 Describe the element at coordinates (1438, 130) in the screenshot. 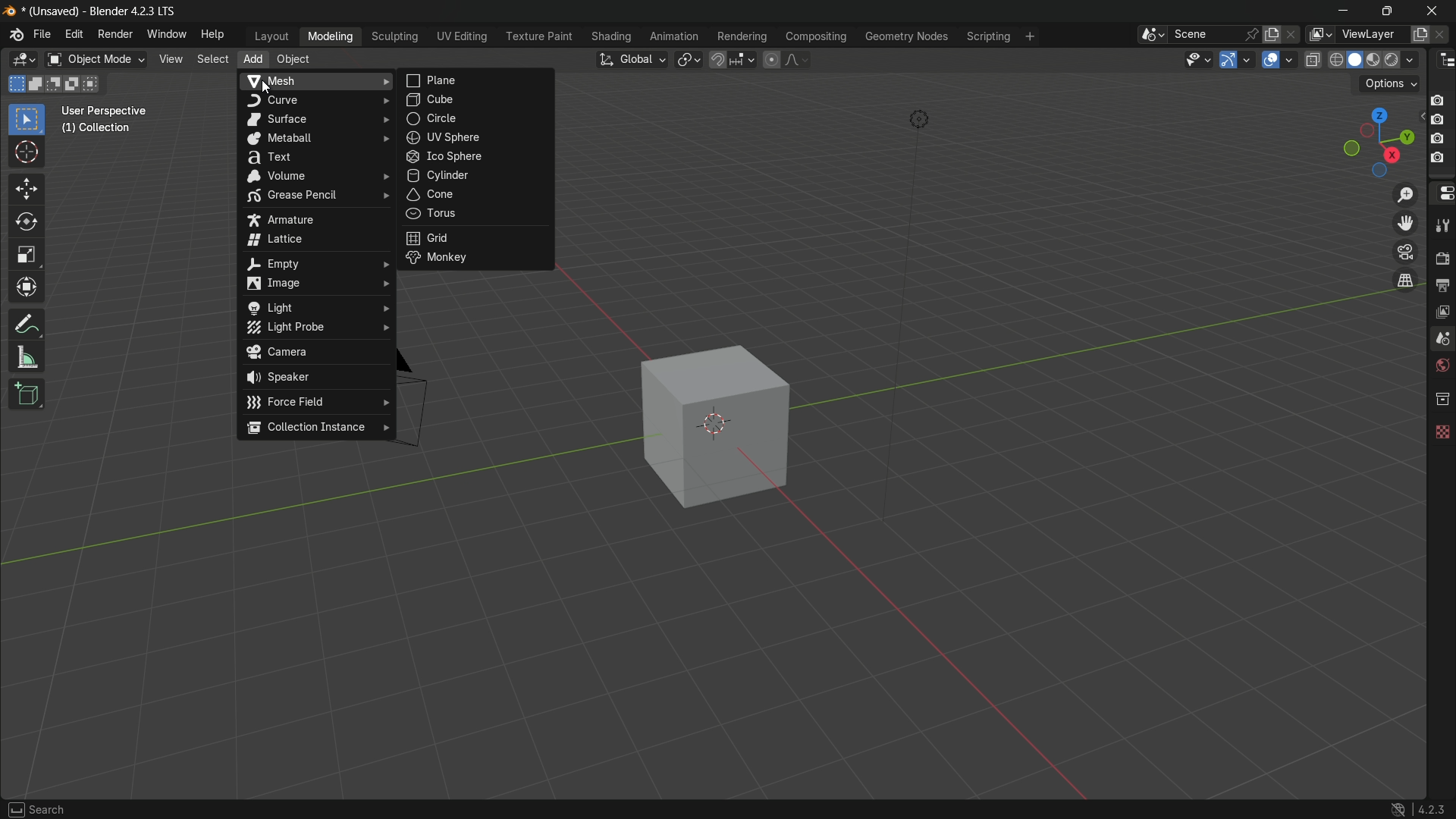

I see `camera` at that location.